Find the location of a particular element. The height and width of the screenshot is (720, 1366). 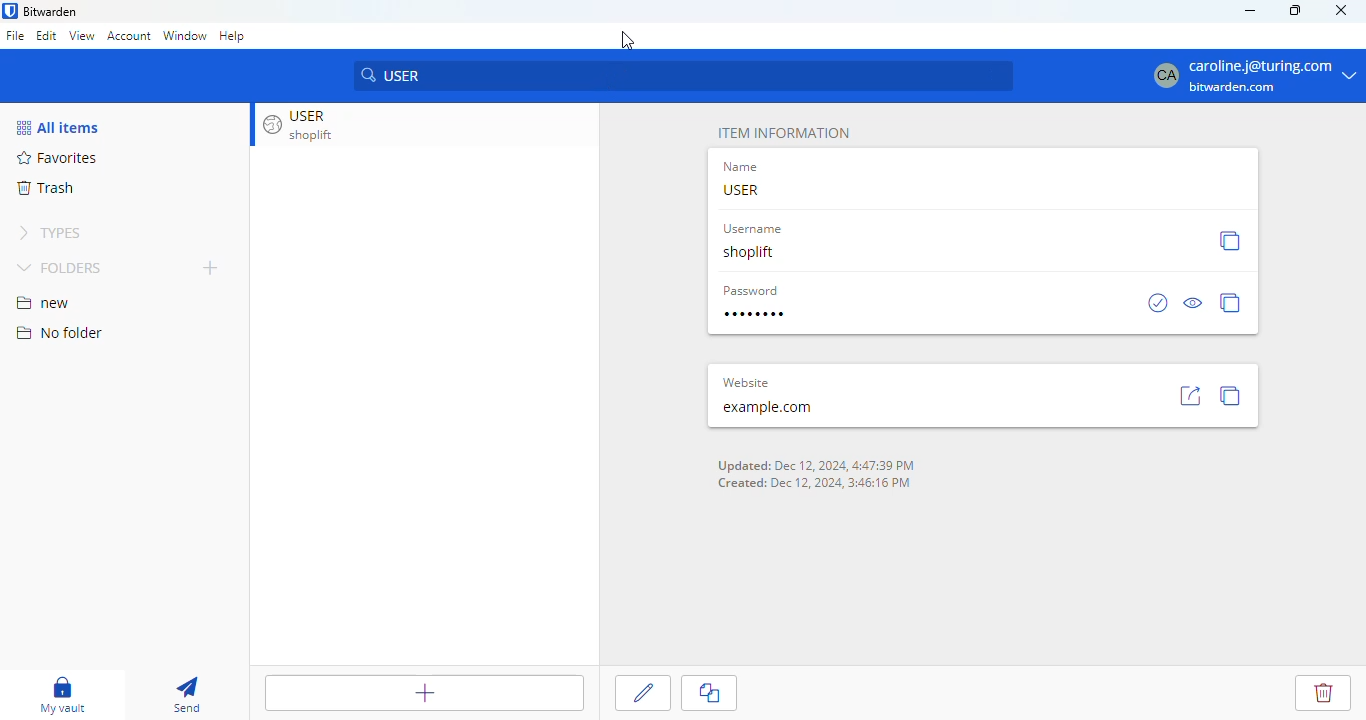

Password is located at coordinates (754, 291).